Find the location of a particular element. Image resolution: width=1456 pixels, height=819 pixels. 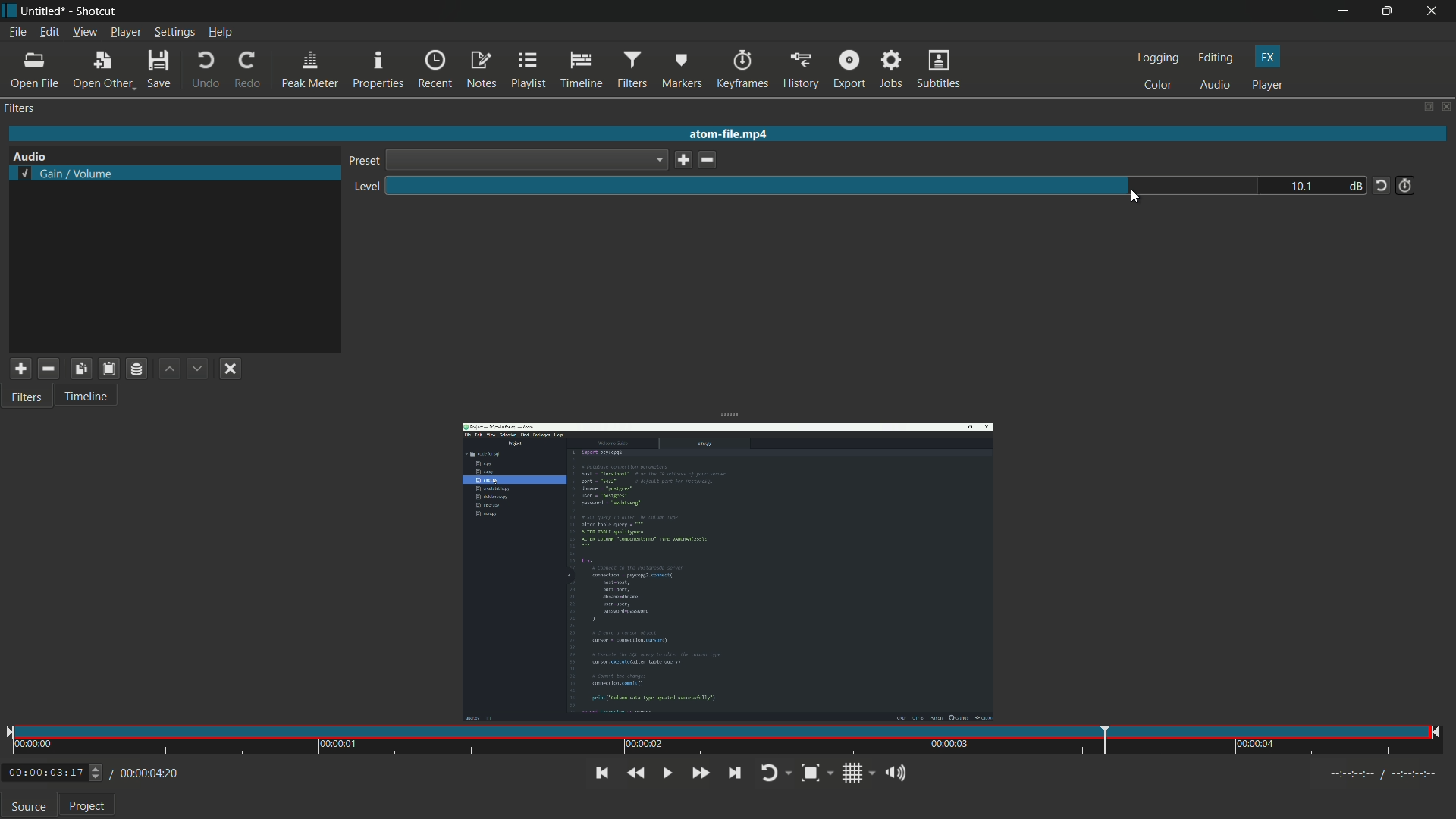

toggle zoom is located at coordinates (817, 774).